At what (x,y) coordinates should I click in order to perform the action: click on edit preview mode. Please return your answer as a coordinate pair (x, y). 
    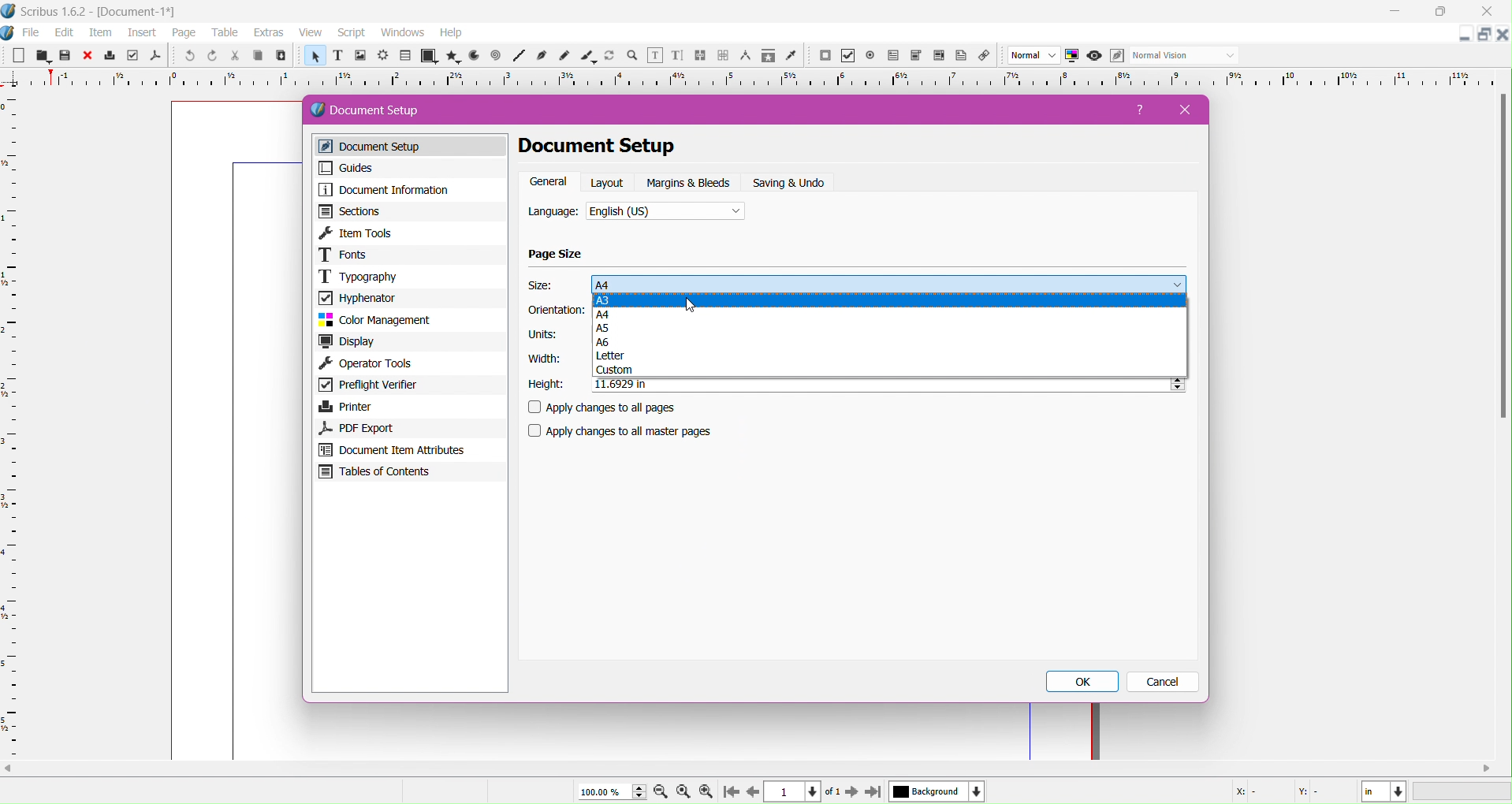
    Looking at the image, I should click on (1116, 56).